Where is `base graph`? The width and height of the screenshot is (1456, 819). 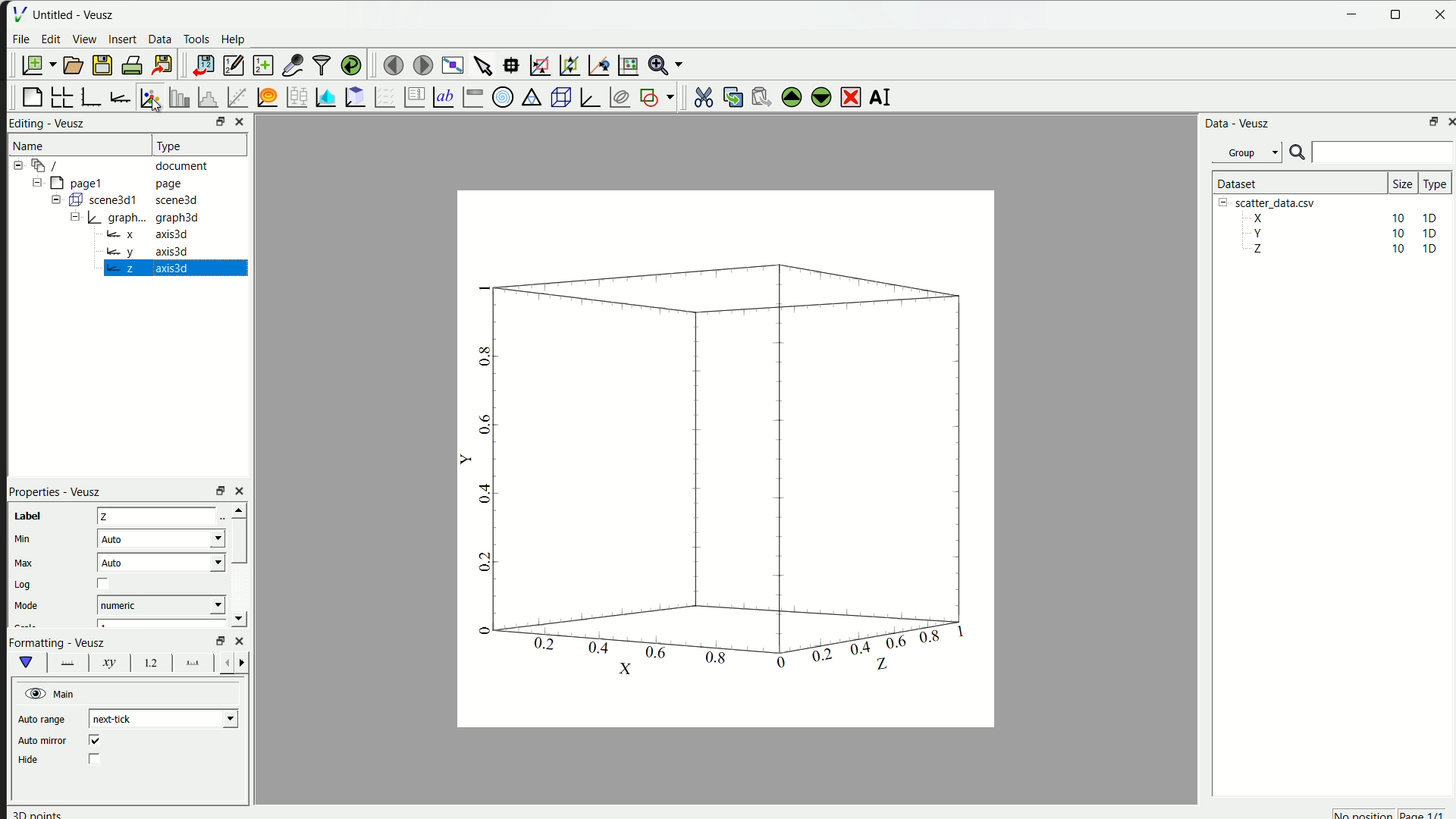
base graph is located at coordinates (91, 96).